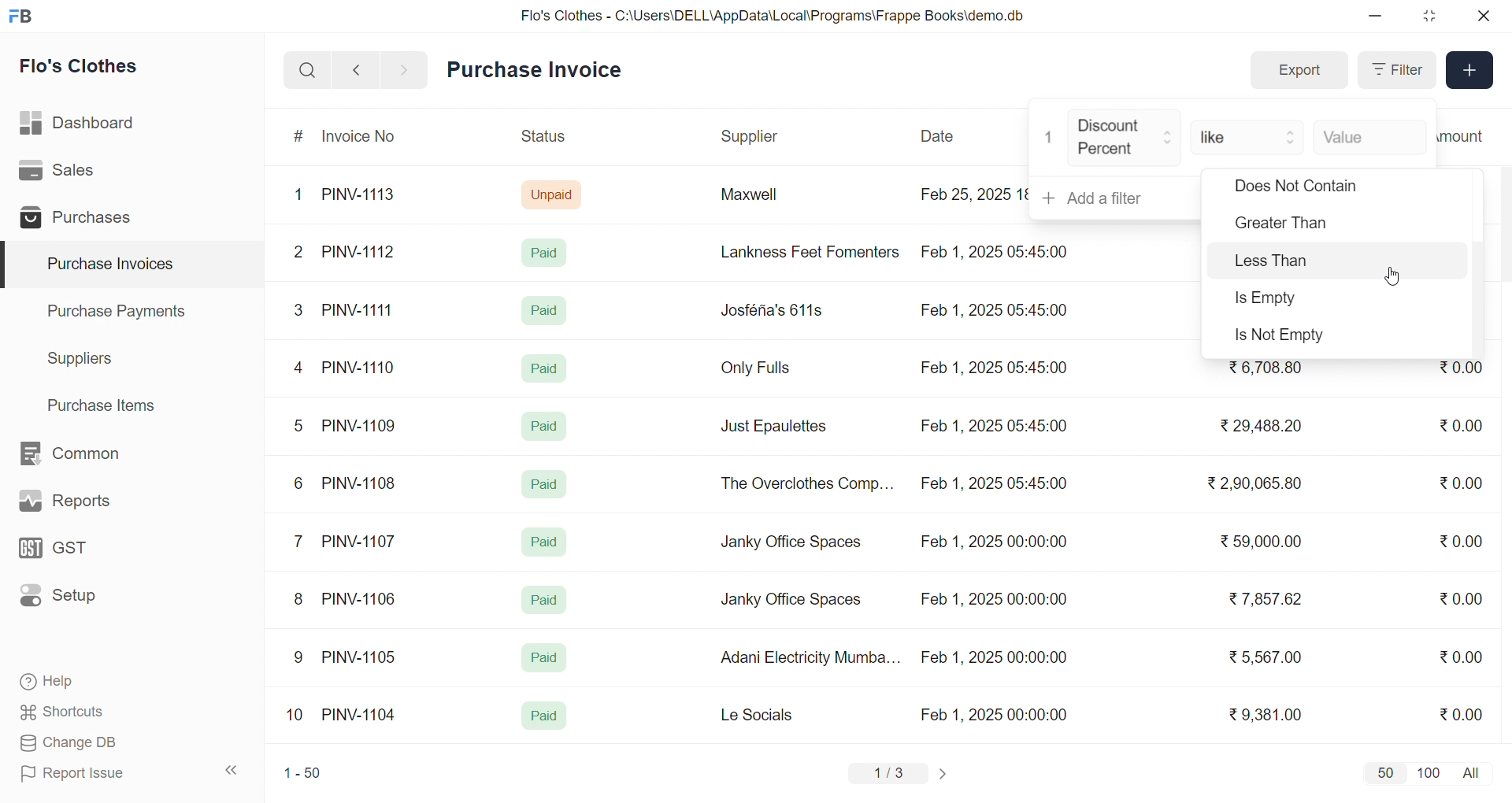 This screenshot has height=803, width=1512. I want to click on navigate backward, so click(356, 69).